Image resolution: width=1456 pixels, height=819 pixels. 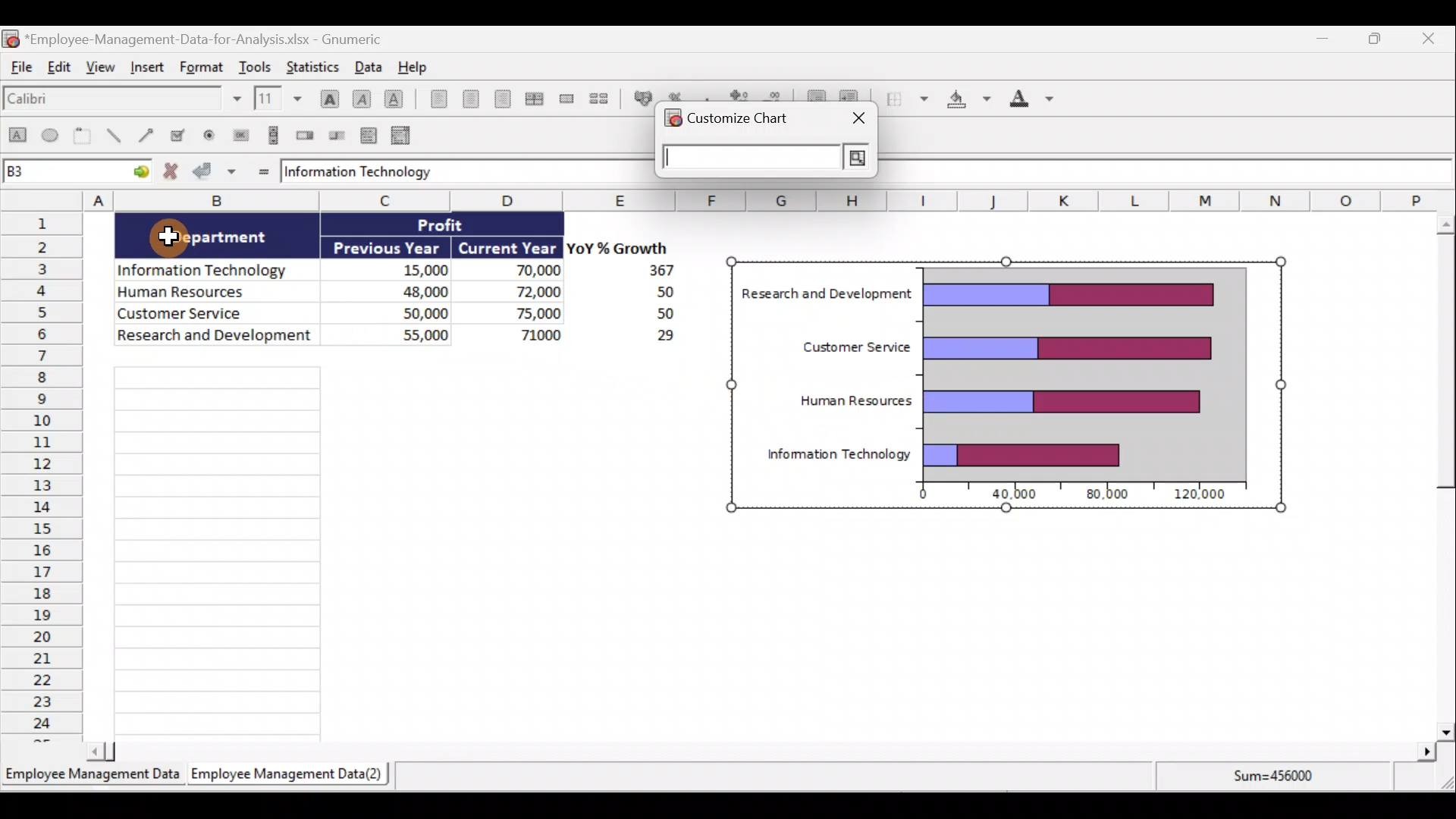 I want to click on Merge a range of cells, so click(x=570, y=99).